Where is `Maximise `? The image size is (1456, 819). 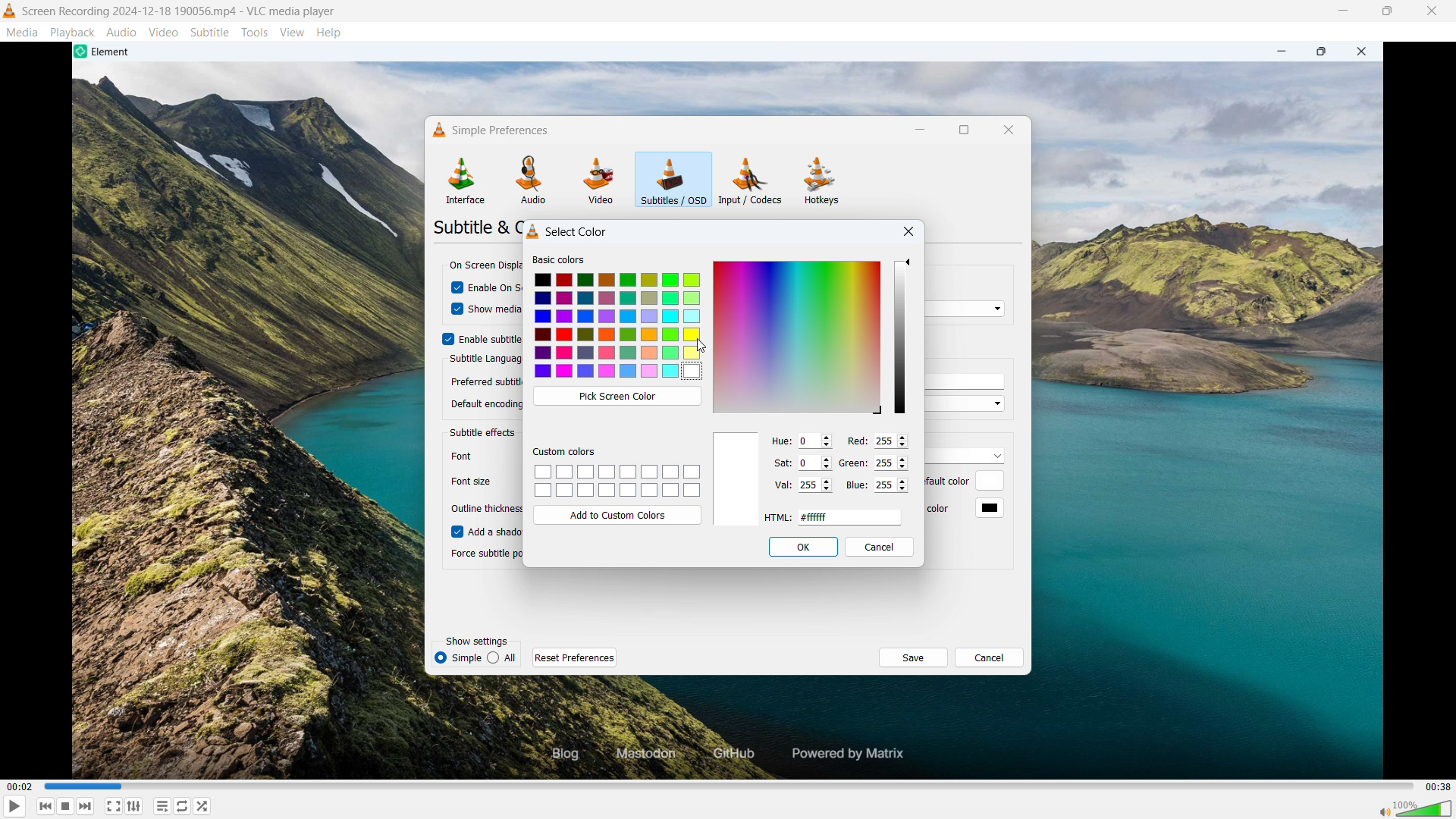 Maximise  is located at coordinates (1387, 11).